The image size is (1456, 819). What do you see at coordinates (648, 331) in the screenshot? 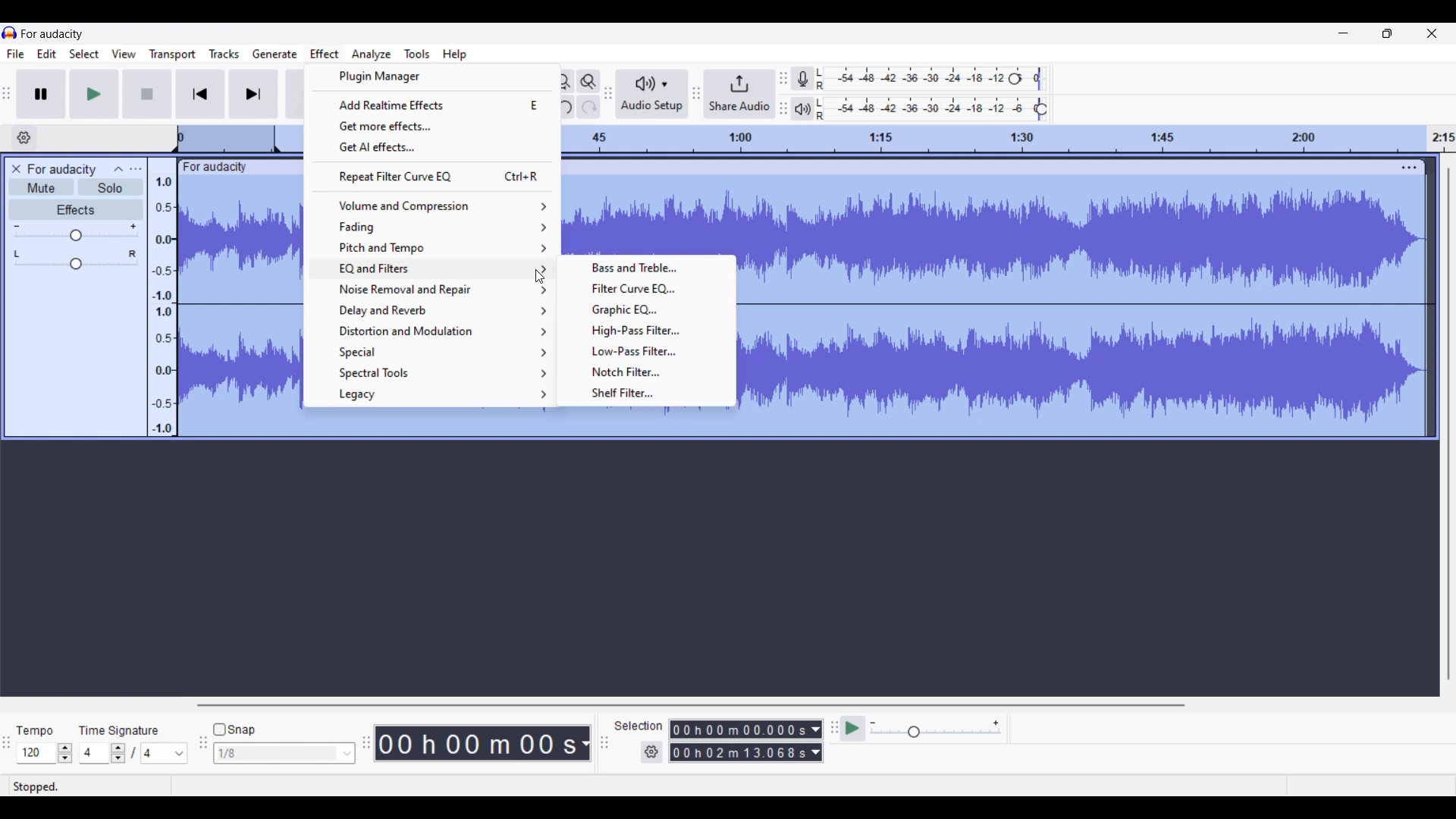
I see `High pass filter` at bounding box center [648, 331].